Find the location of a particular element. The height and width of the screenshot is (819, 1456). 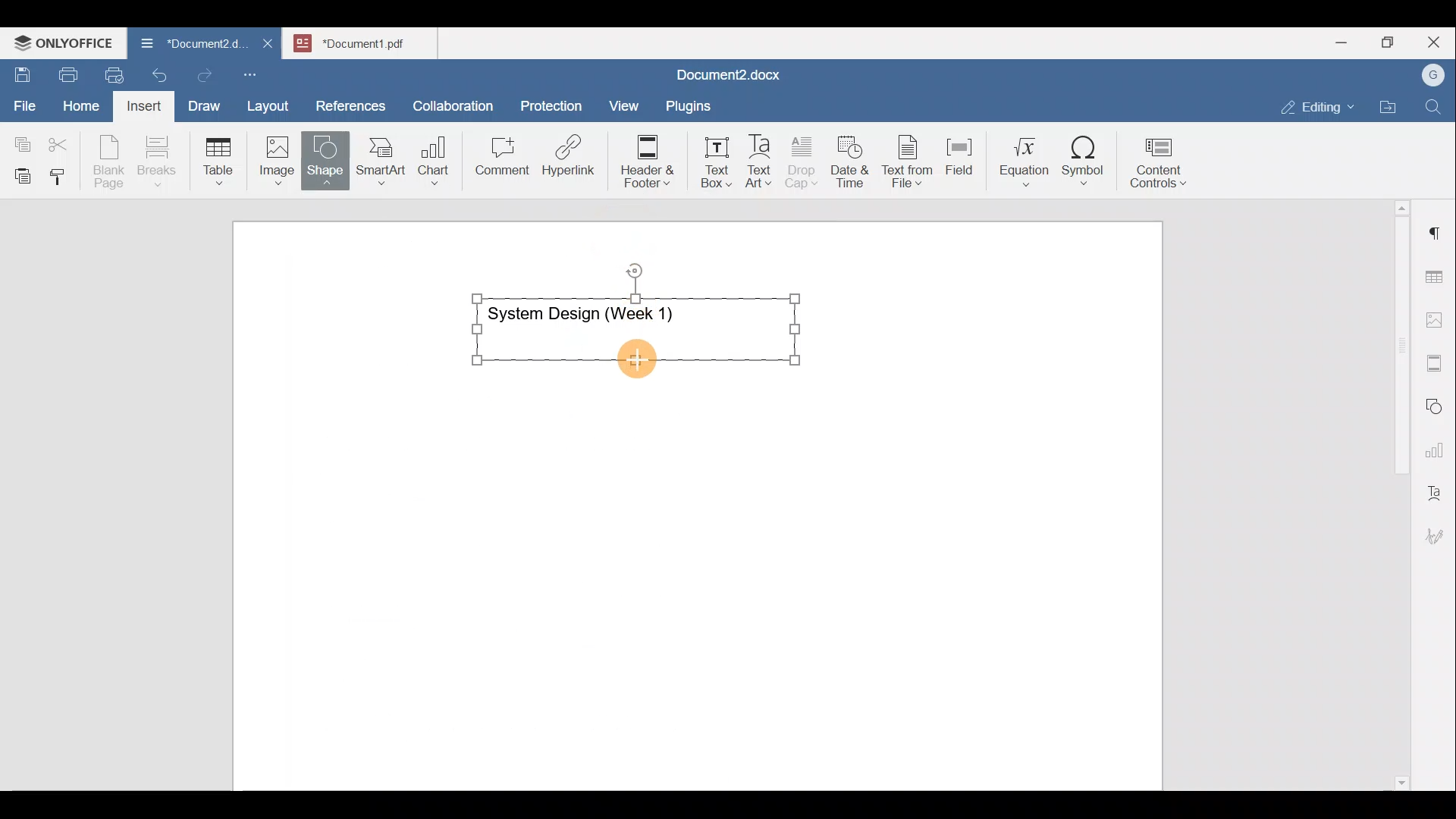

Hyperlink is located at coordinates (573, 160).